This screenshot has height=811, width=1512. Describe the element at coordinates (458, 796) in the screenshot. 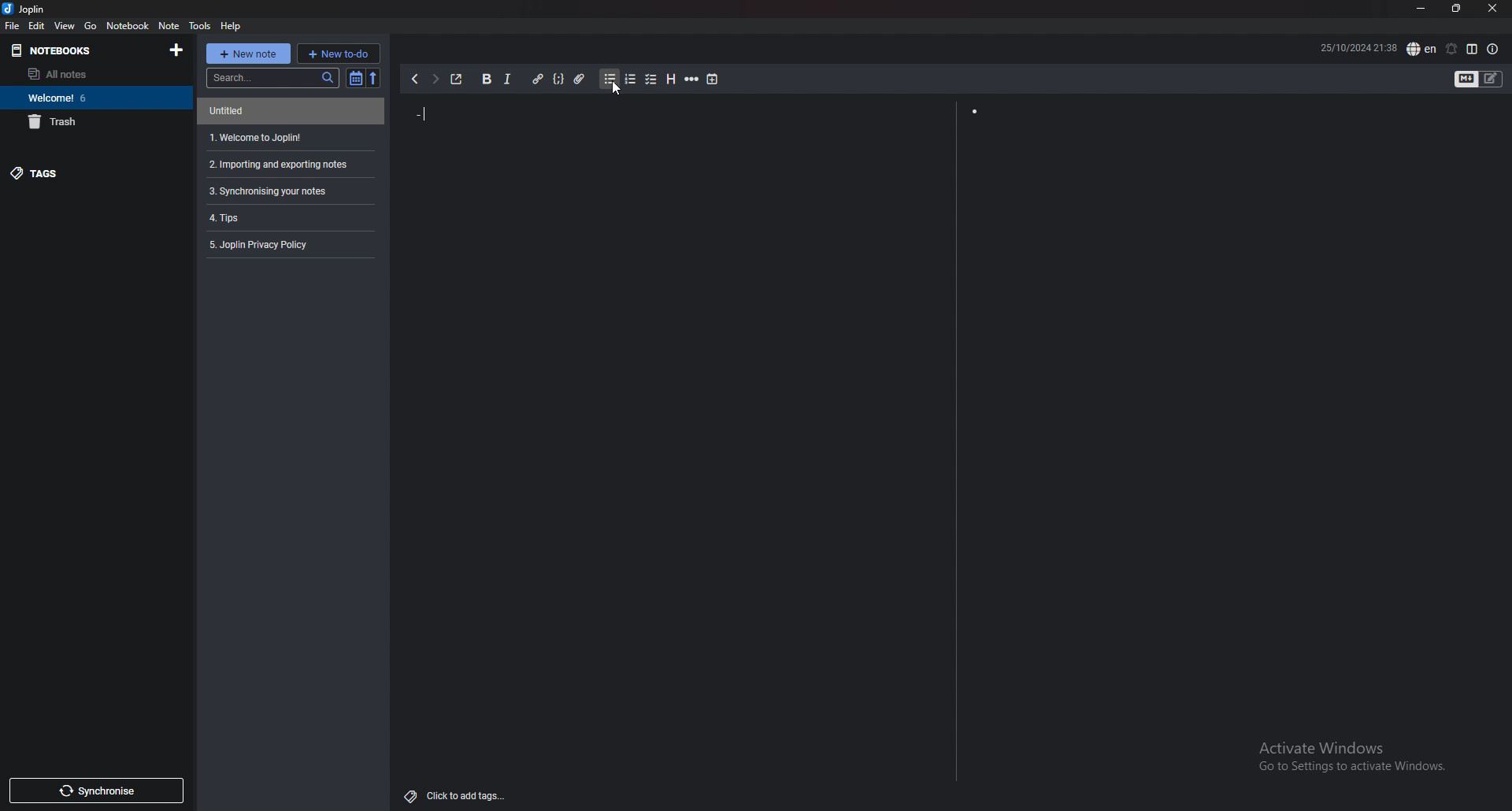

I see `click to add tags` at that location.